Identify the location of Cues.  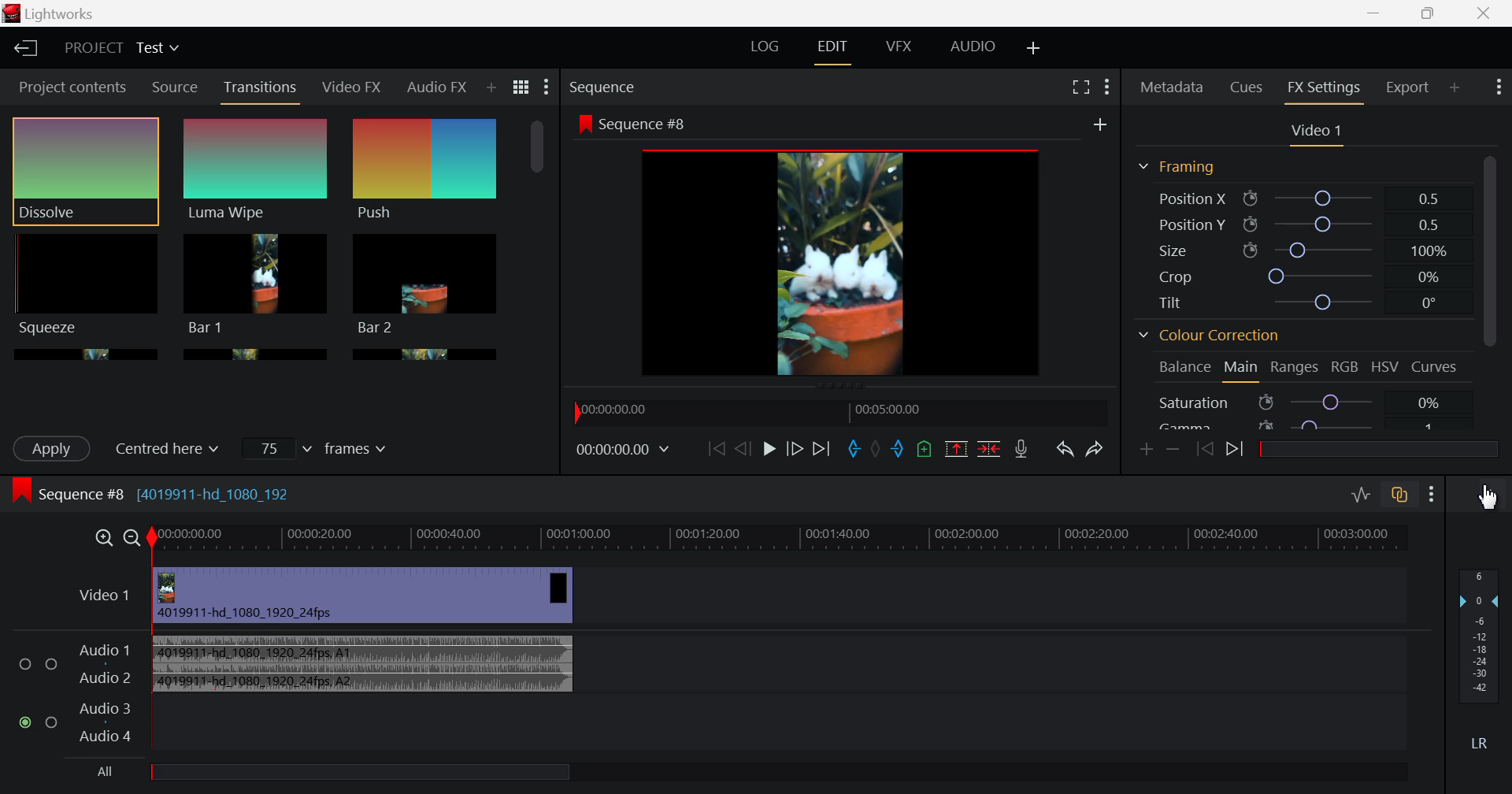
(1247, 87).